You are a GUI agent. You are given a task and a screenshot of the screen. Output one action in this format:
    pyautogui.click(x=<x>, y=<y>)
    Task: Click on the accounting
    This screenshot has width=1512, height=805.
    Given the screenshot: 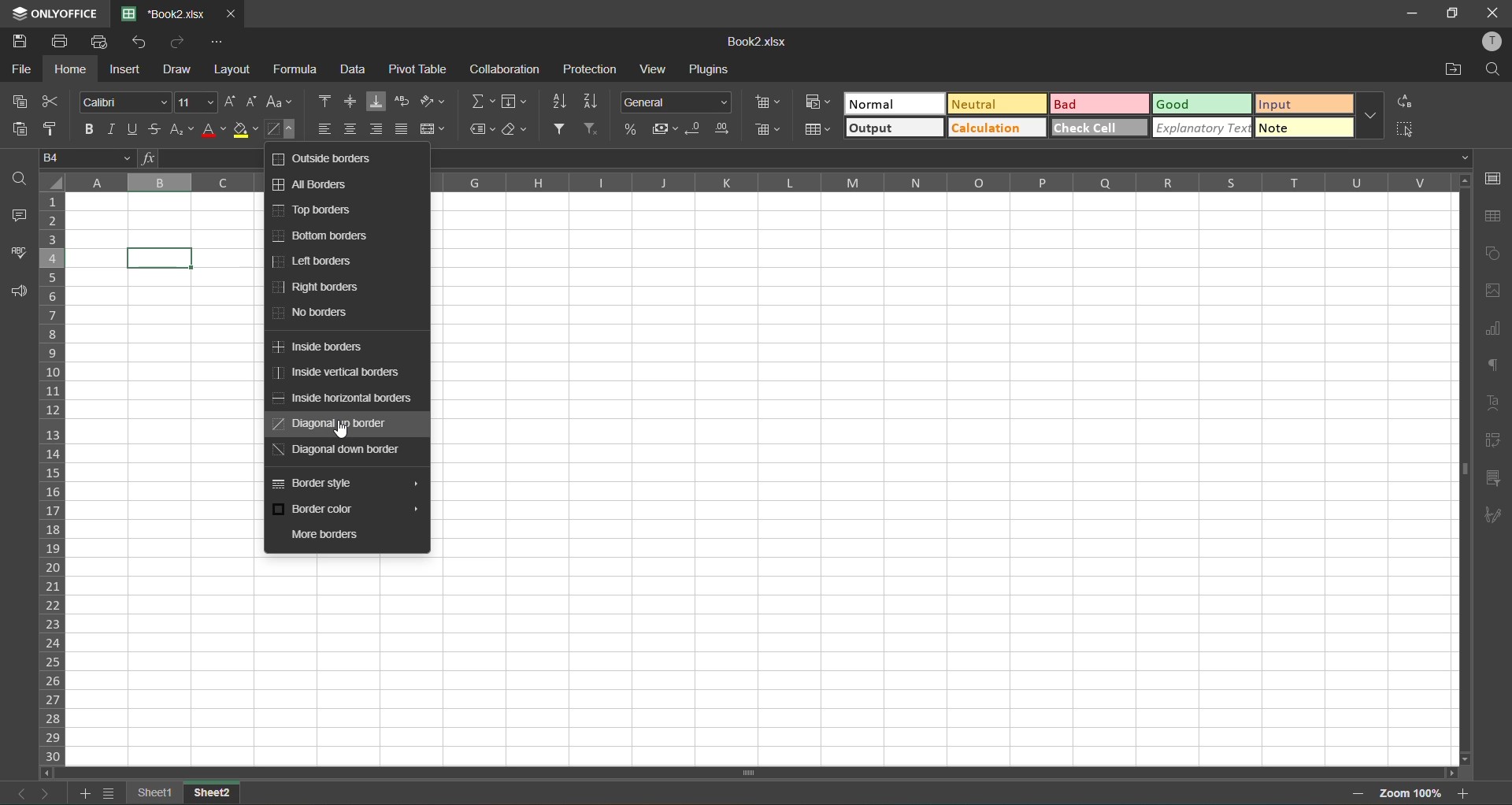 What is the action you would take?
    pyautogui.click(x=666, y=131)
    